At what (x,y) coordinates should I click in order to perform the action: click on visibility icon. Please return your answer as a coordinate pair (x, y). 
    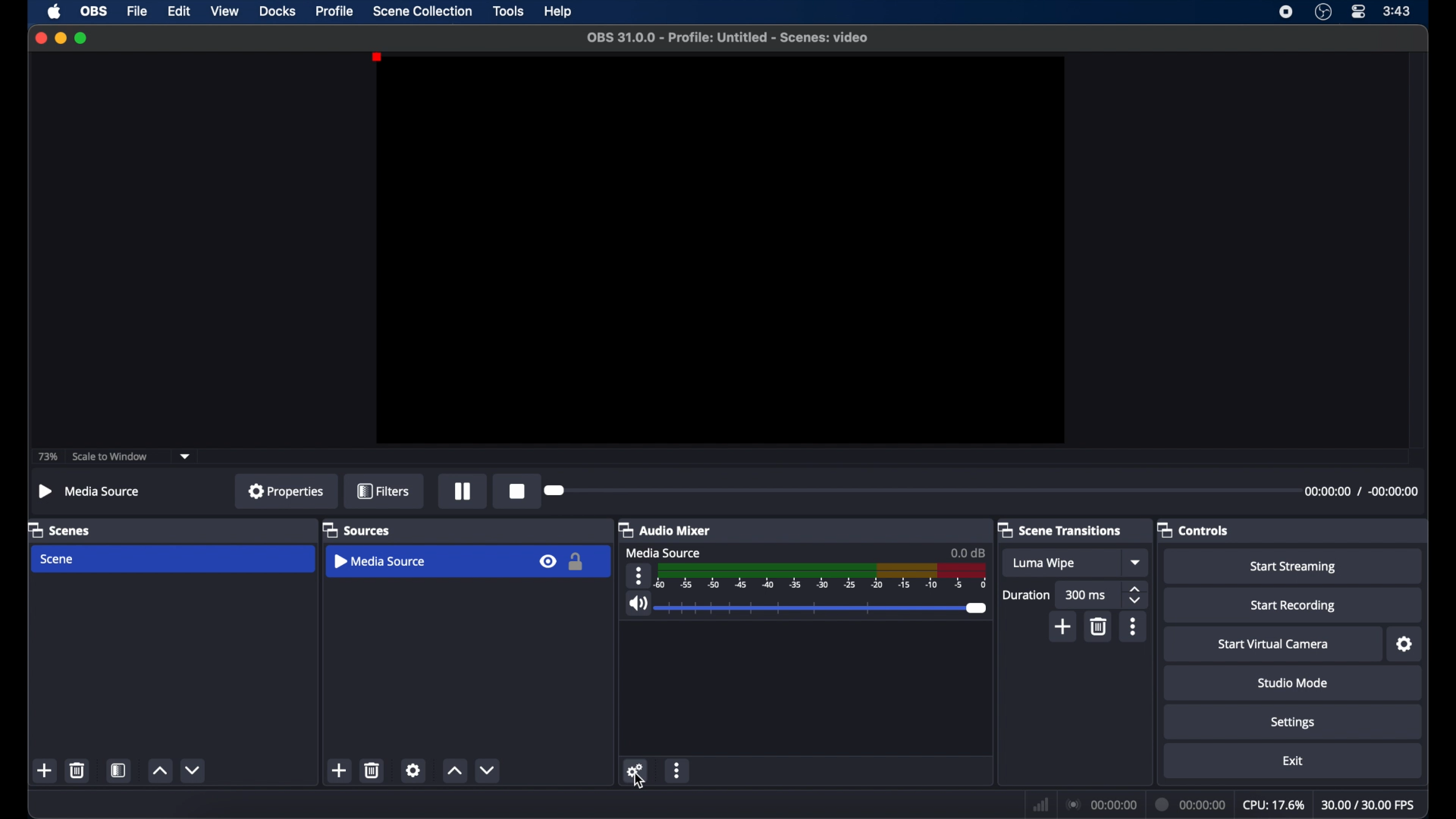
    Looking at the image, I should click on (548, 561).